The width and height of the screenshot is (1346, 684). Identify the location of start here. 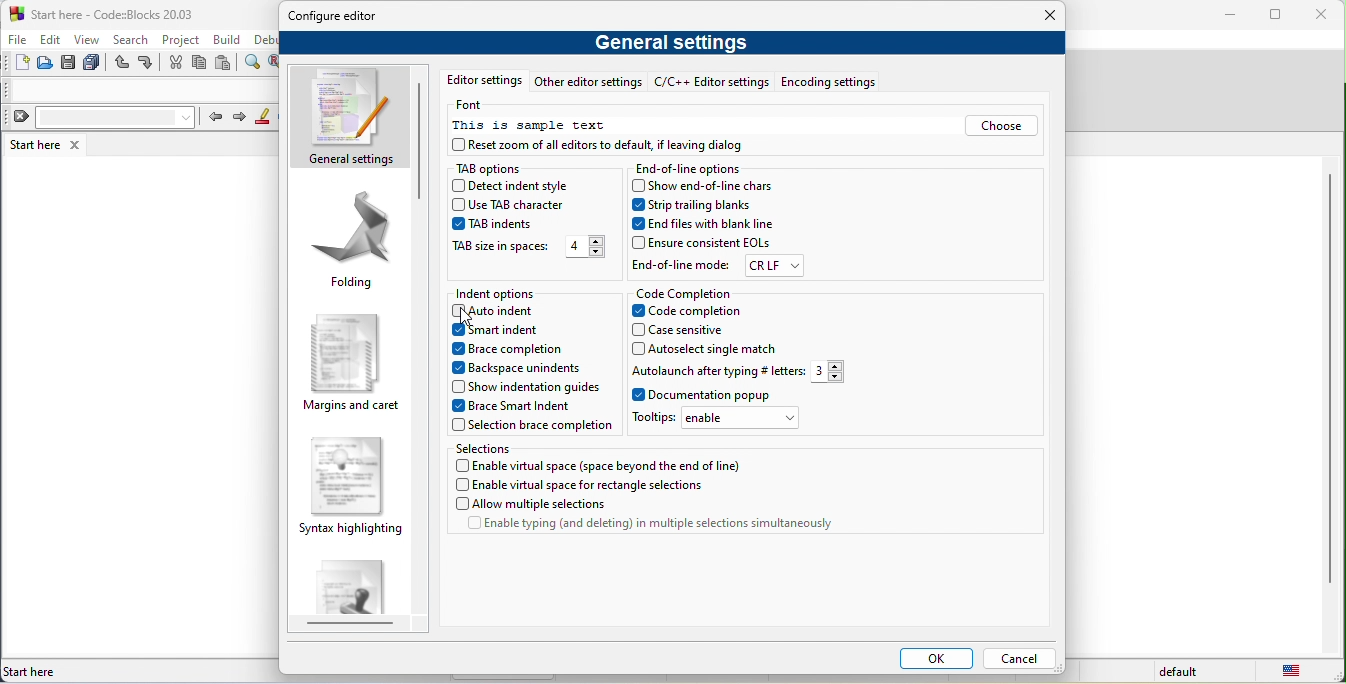
(41, 669).